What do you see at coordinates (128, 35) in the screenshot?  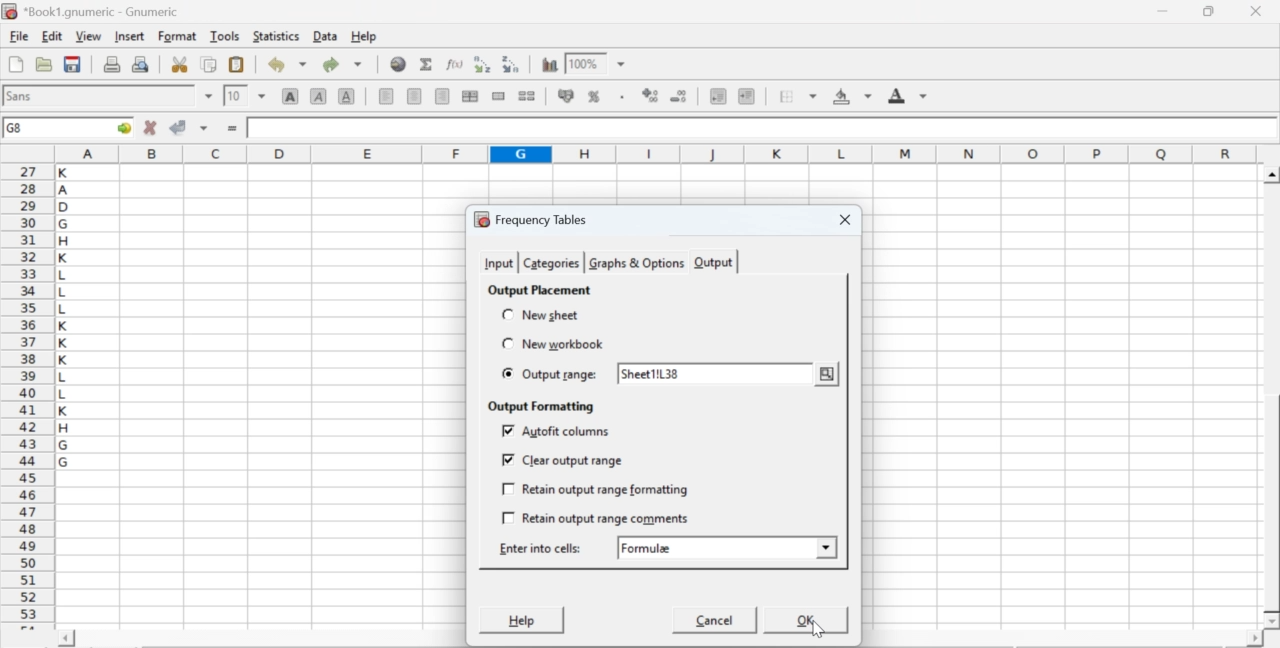 I see `insert` at bounding box center [128, 35].